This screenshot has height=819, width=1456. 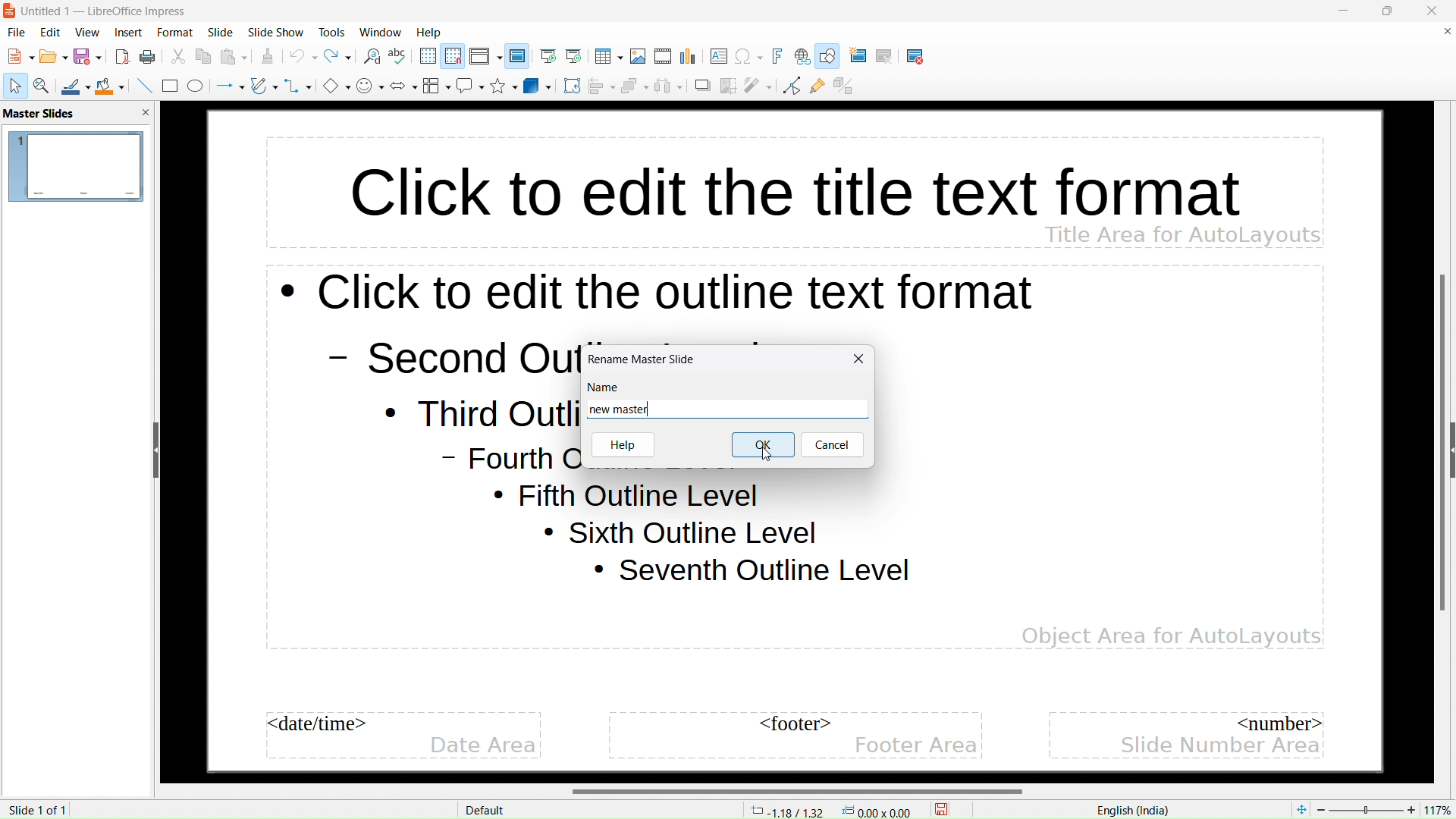 I want to click on symbol shapes, so click(x=370, y=86).